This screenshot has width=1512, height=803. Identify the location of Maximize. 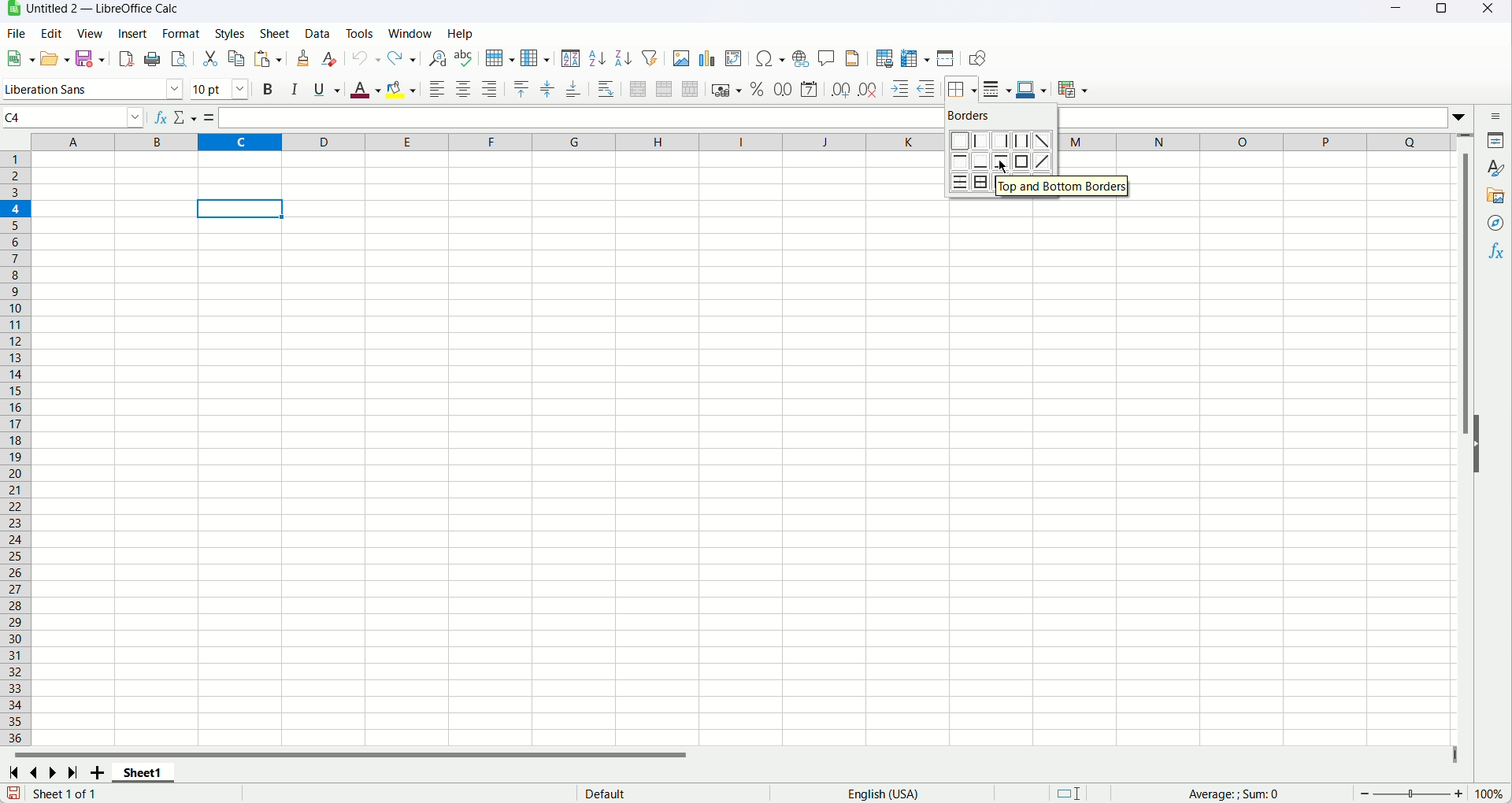
(1440, 12).